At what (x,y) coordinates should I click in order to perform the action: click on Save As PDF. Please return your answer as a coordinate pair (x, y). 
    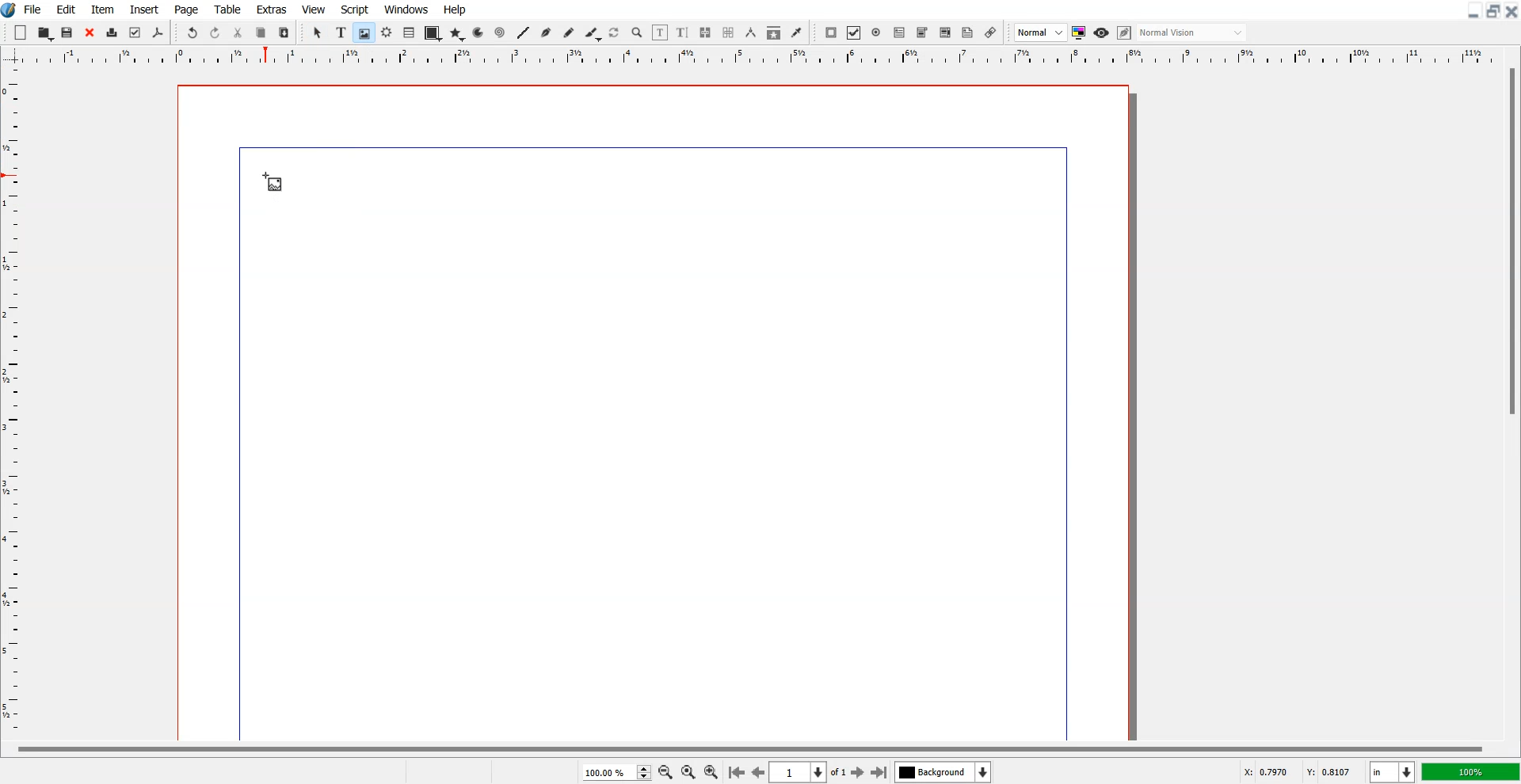
    Looking at the image, I should click on (158, 33).